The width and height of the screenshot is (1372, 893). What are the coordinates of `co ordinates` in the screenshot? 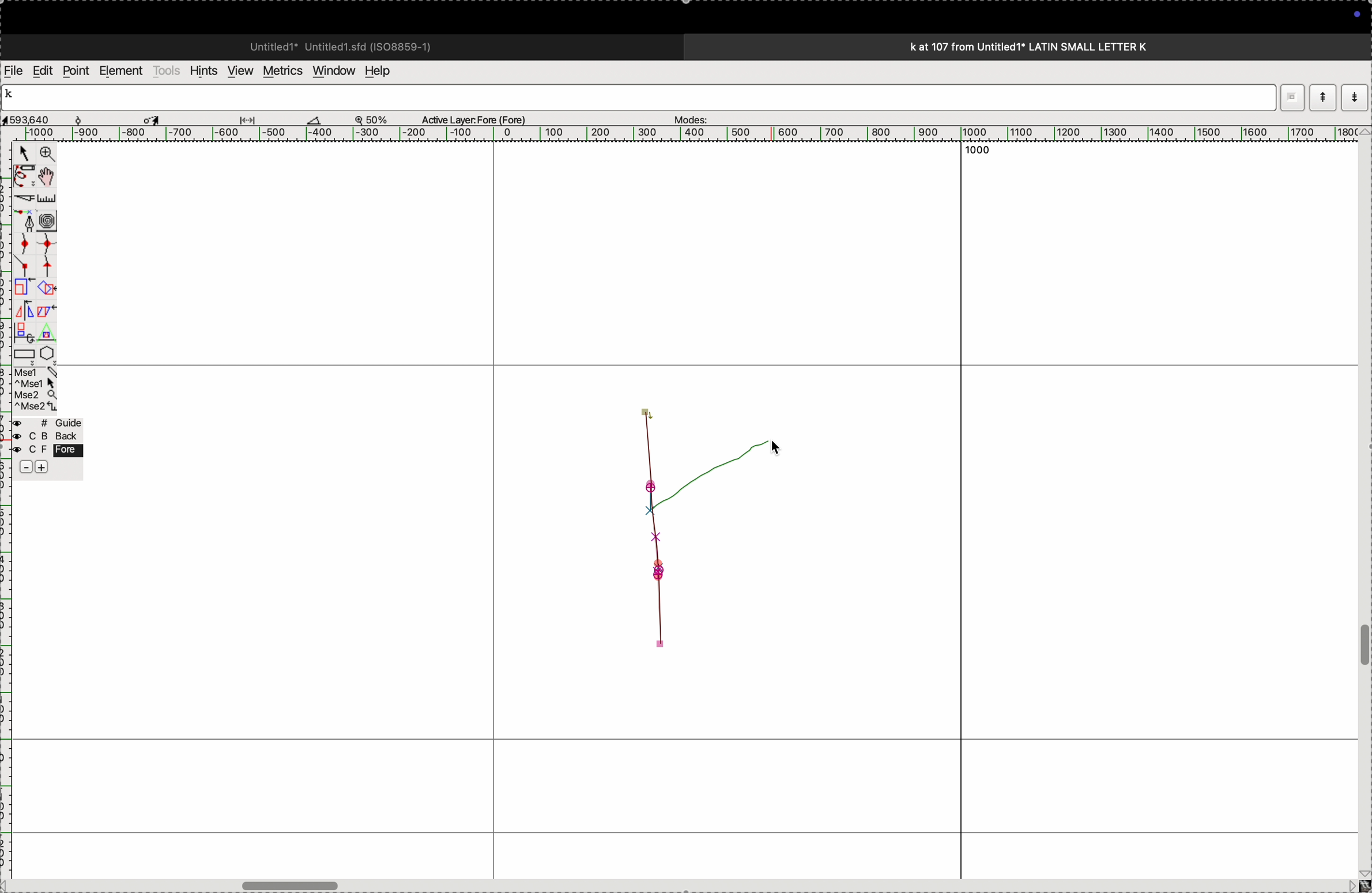 It's located at (40, 116).